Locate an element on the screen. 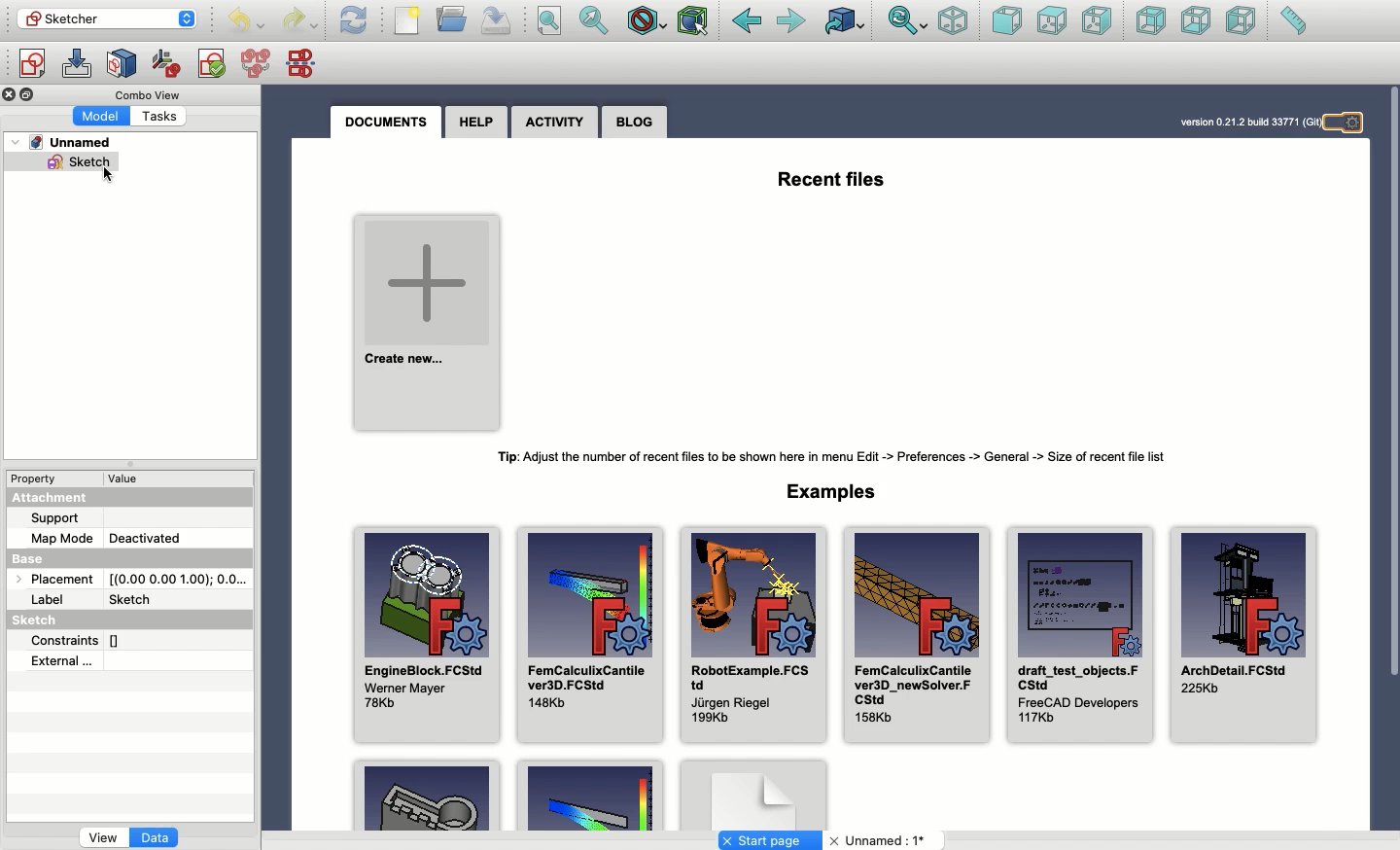 This screenshot has width=1400, height=850. Refresh is located at coordinates (354, 20).